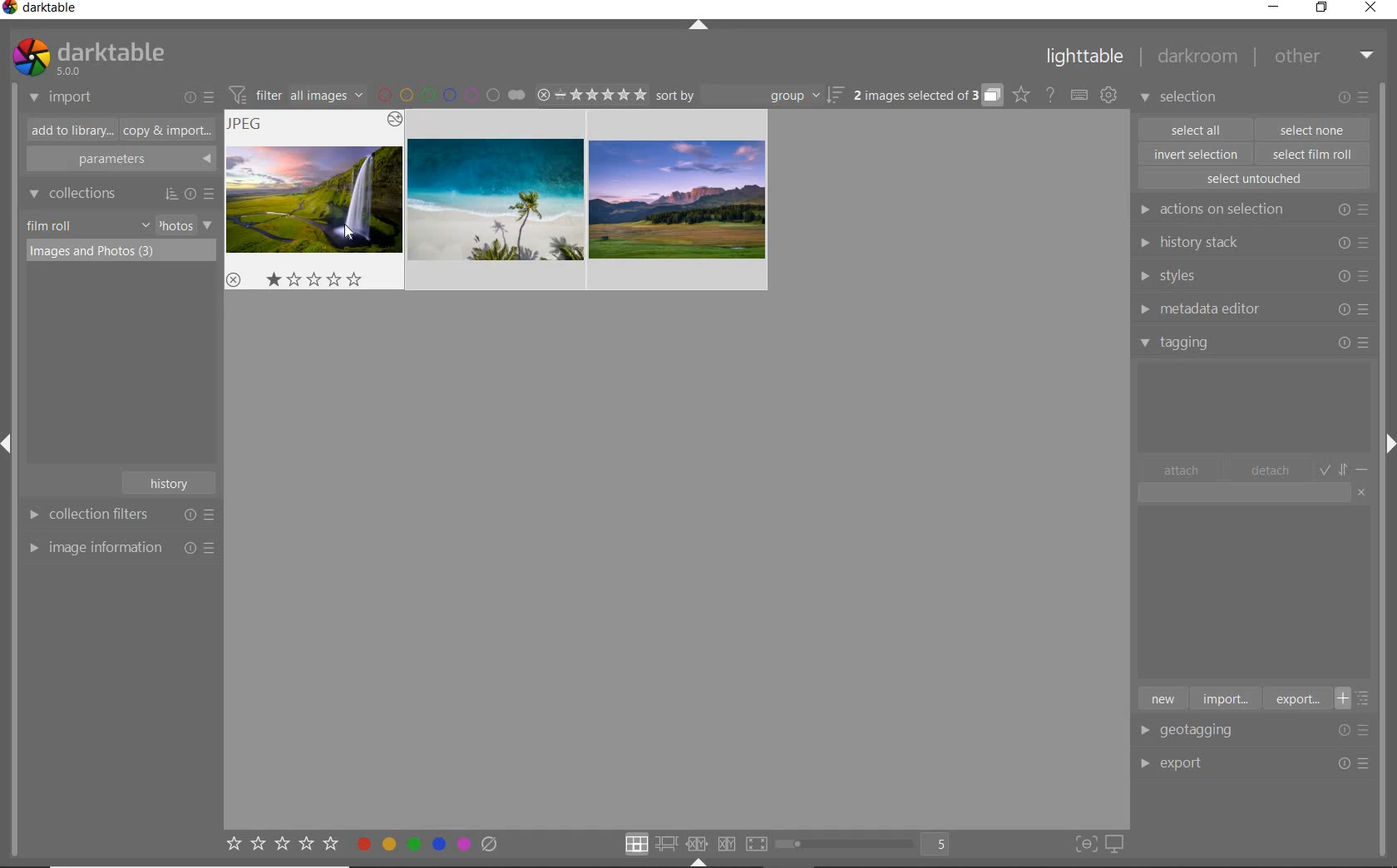  Describe the element at coordinates (1356, 98) in the screenshot. I see `modify selected images or presets & preferences` at that location.